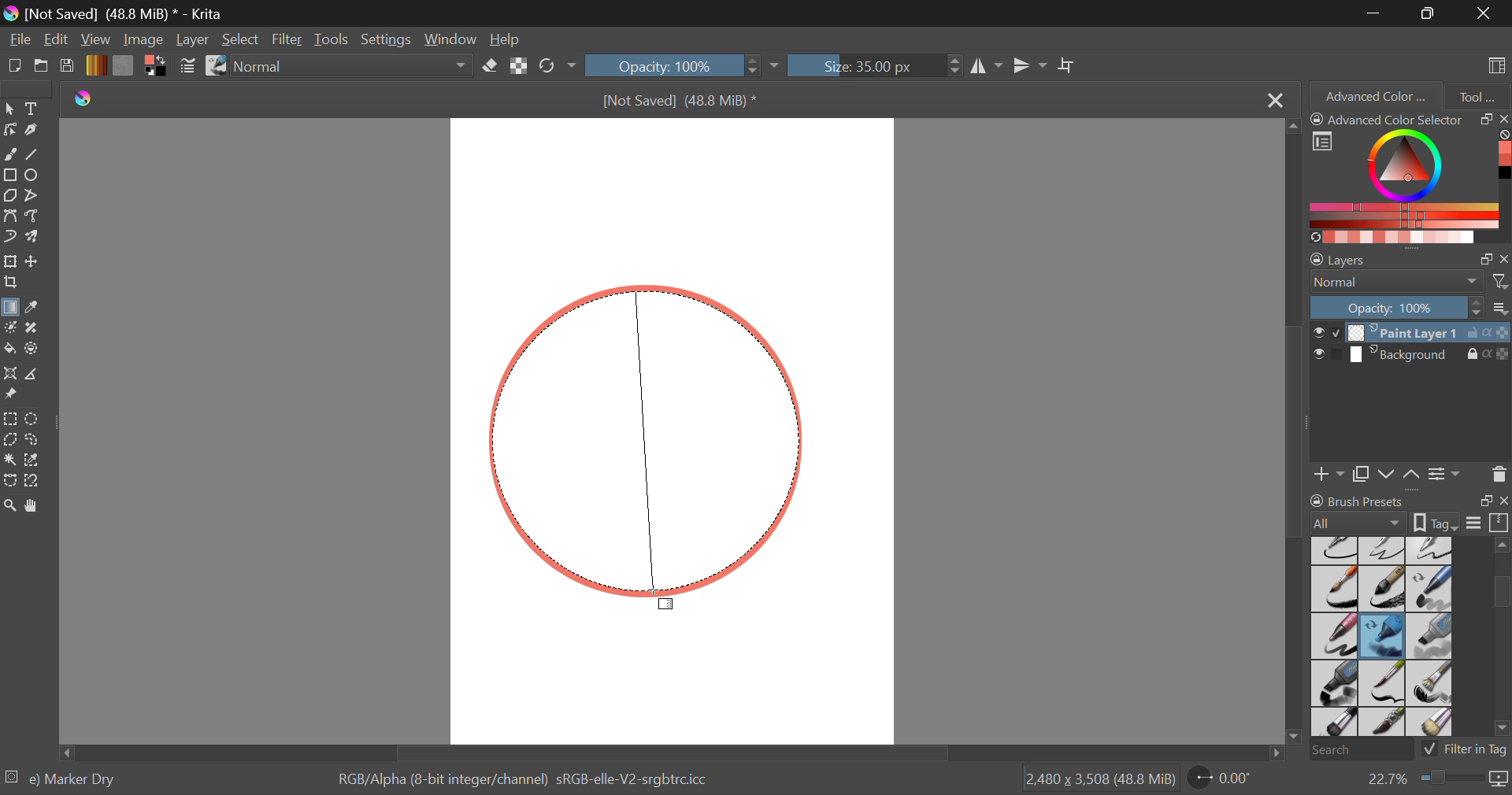 This screenshot has height=795, width=1512. Describe the element at coordinates (9, 261) in the screenshot. I see `Transform a layer` at that location.